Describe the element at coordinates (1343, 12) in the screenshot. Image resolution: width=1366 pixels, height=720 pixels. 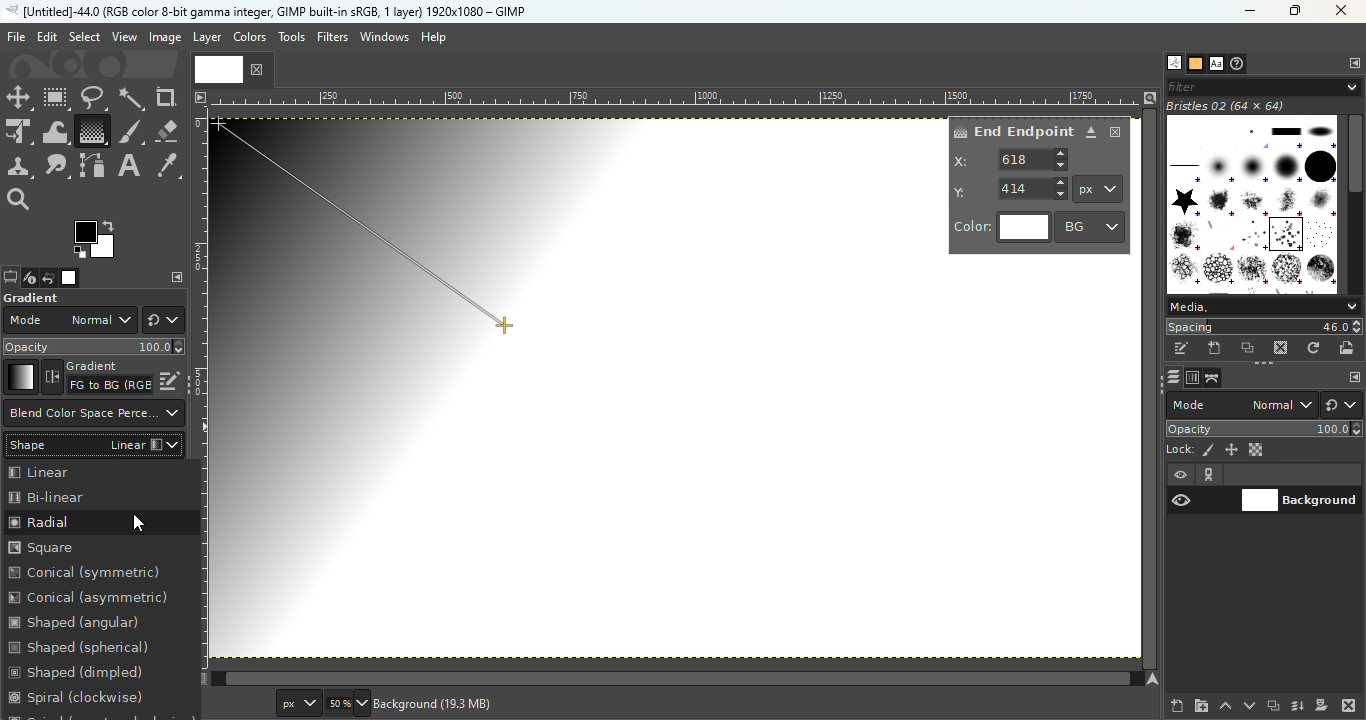
I see `Close` at that location.